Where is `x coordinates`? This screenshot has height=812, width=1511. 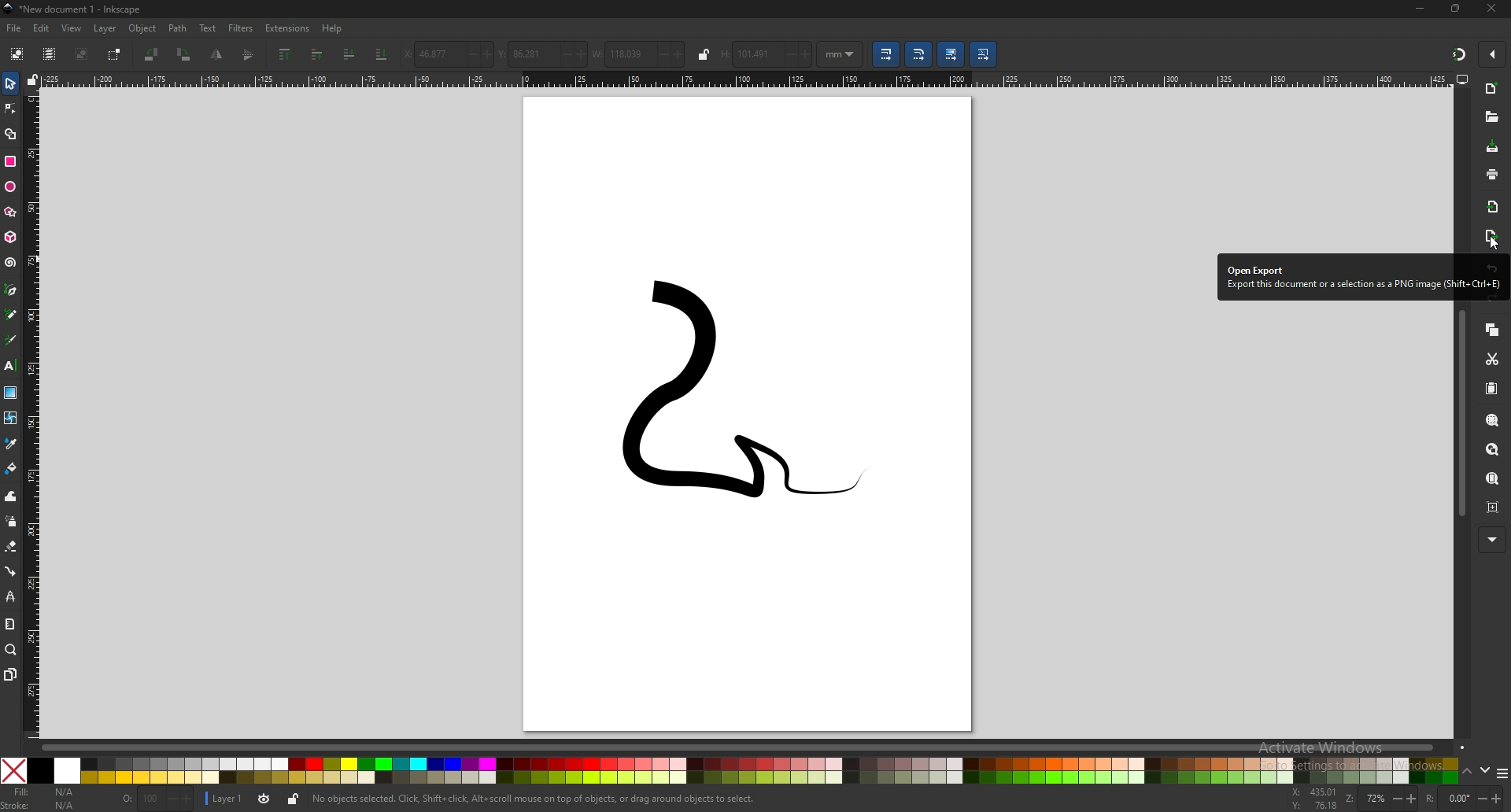
x coordinates is located at coordinates (449, 54).